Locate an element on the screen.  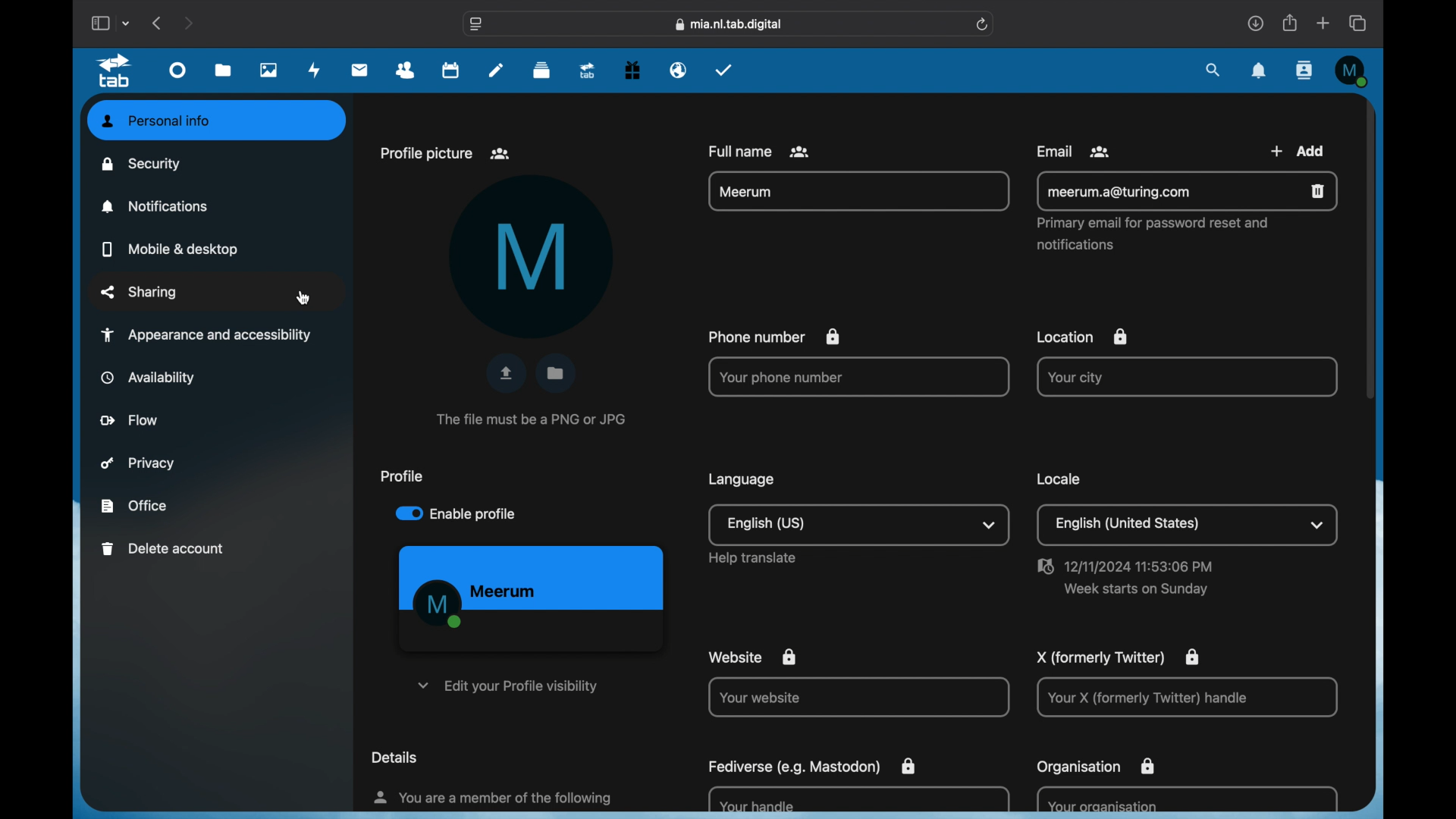
availability is located at coordinates (149, 377).